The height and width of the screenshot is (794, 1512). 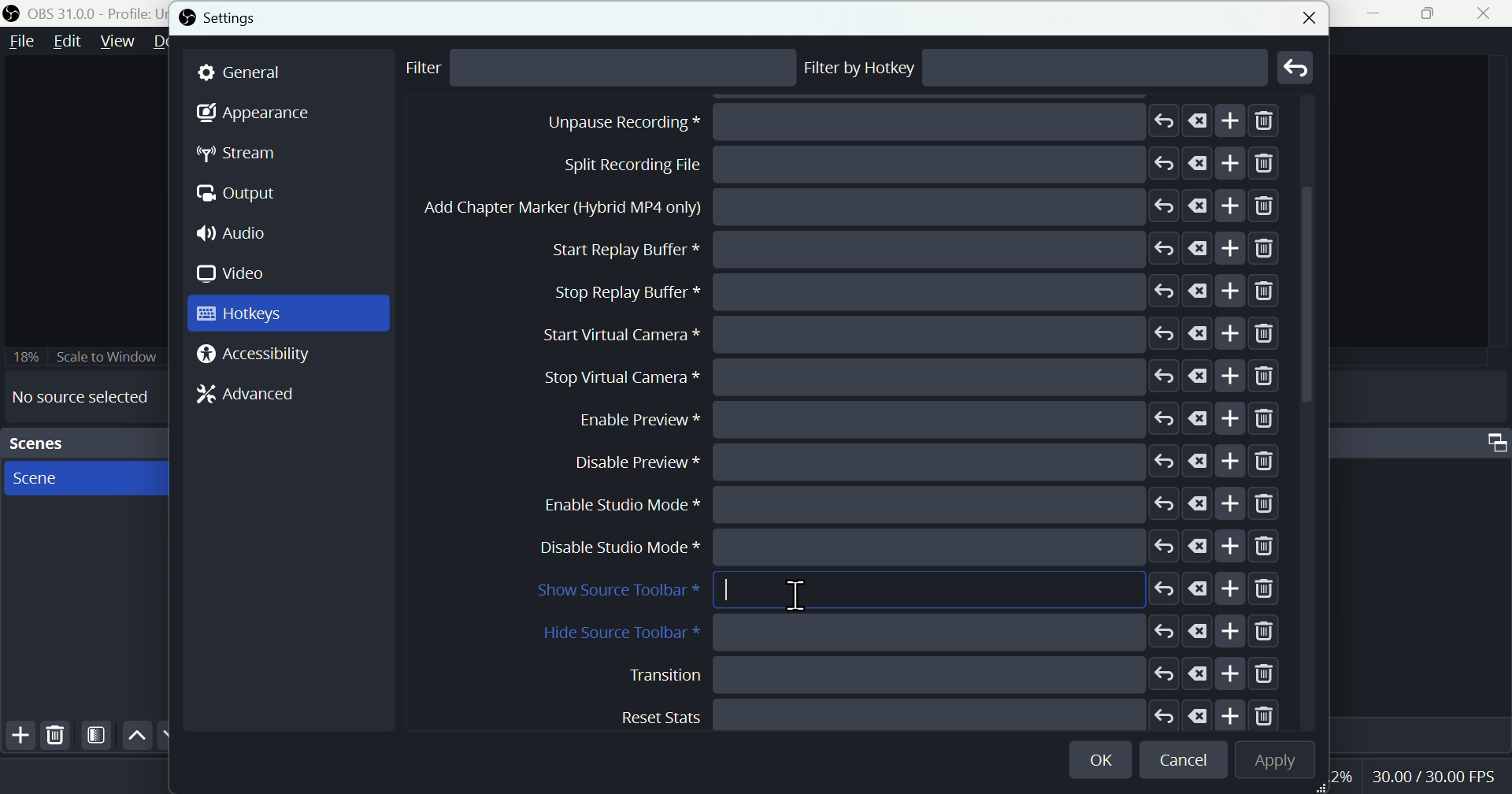 I want to click on Disable preview, so click(x=926, y=673).